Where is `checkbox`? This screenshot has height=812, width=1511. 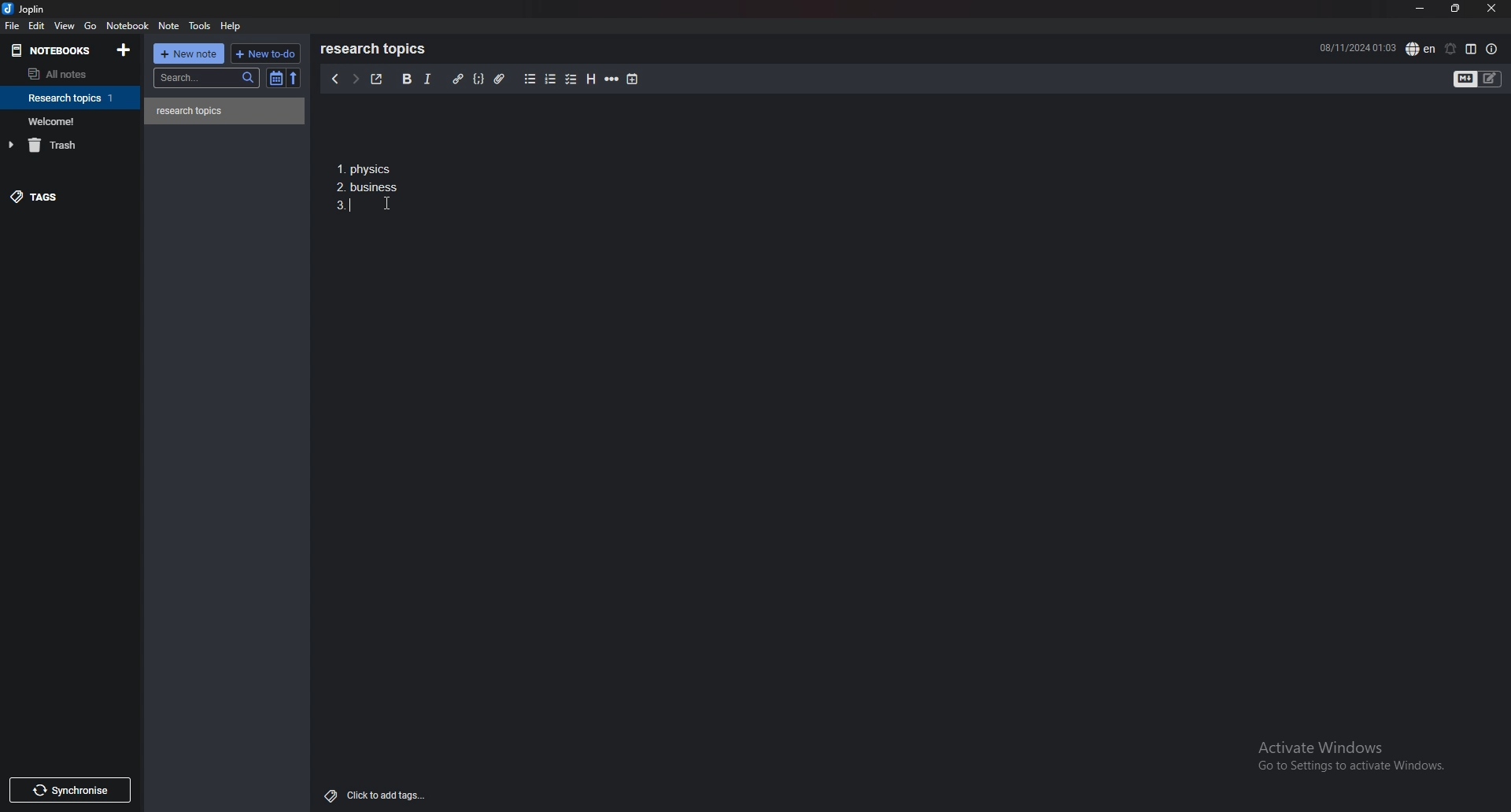 checkbox is located at coordinates (571, 79).